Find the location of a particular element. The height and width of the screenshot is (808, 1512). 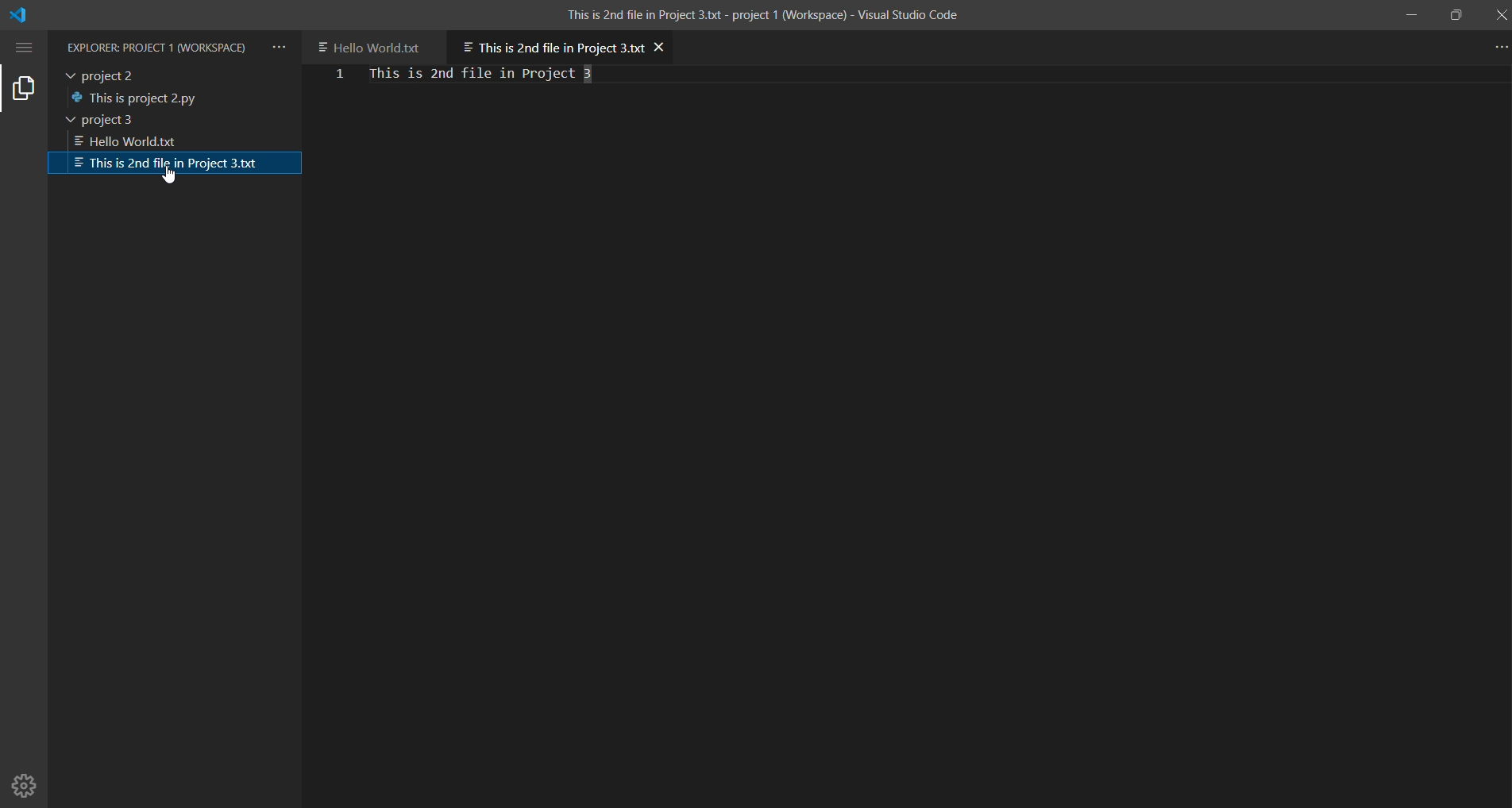

selected file is located at coordinates (175, 166).